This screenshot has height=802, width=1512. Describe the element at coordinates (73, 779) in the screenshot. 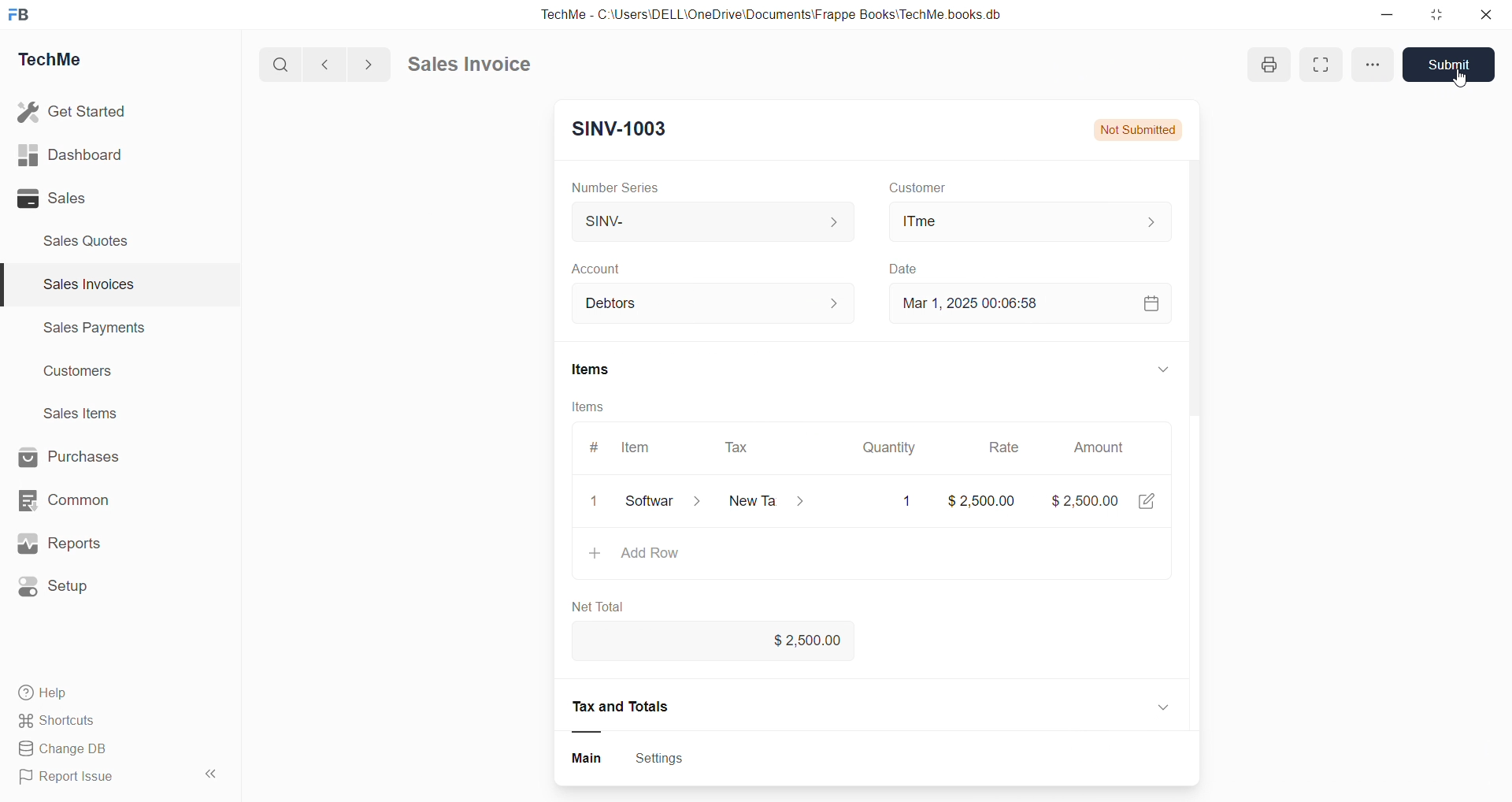

I see ` Report Issue` at that location.